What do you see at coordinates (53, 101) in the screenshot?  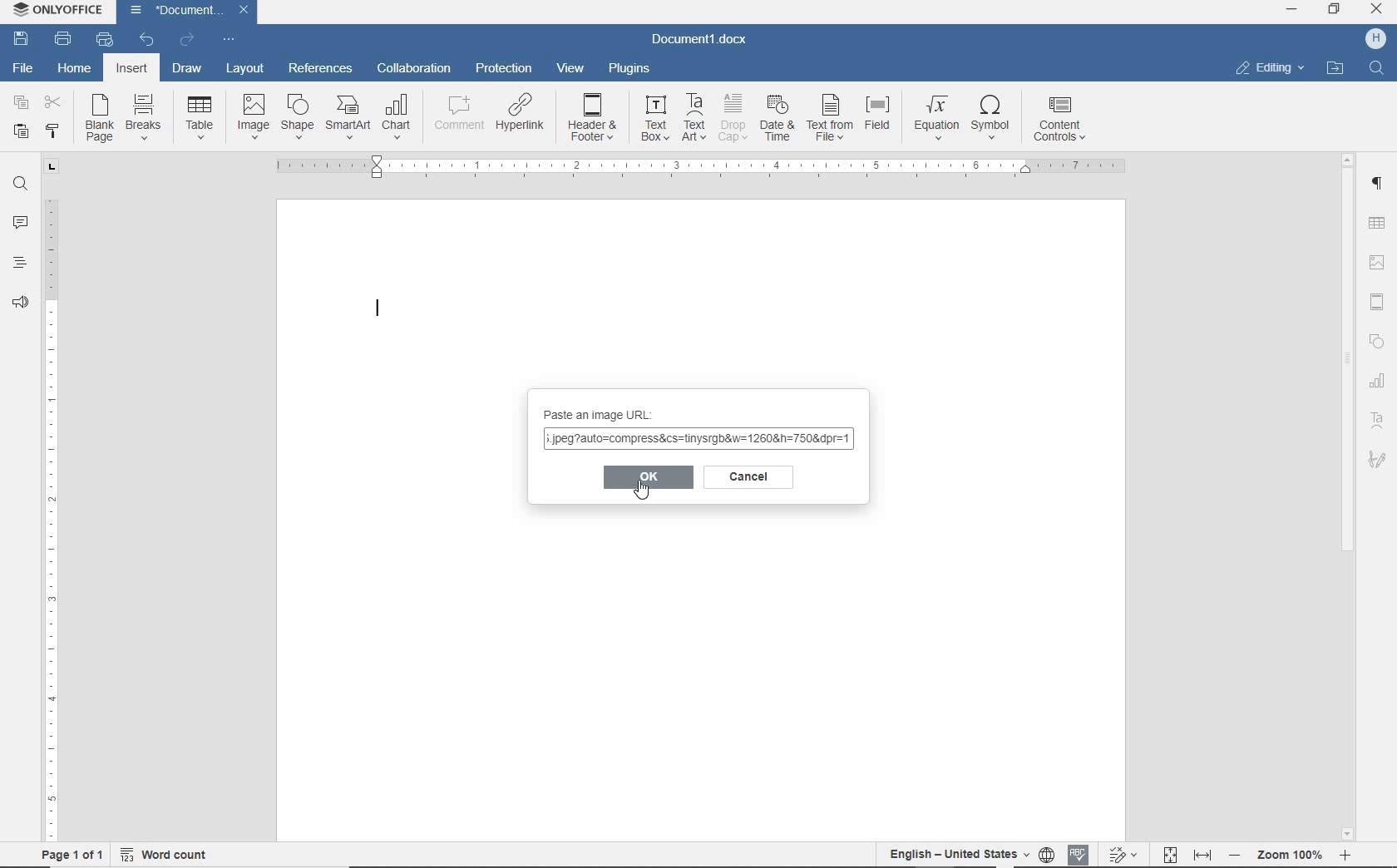 I see `cut` at bounding box center [53, 101].